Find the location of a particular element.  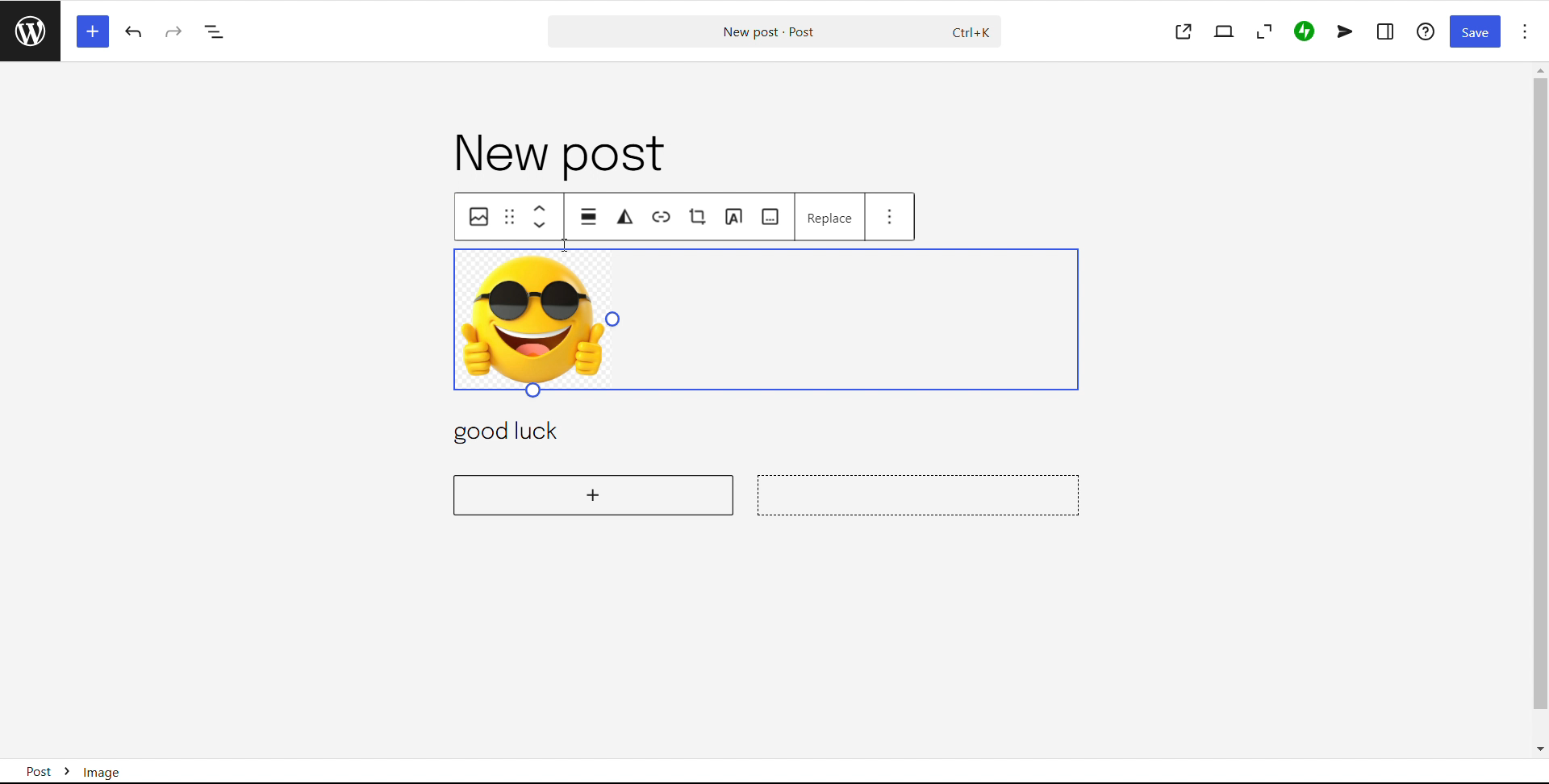

read posts is located at coordinates (30, 31).